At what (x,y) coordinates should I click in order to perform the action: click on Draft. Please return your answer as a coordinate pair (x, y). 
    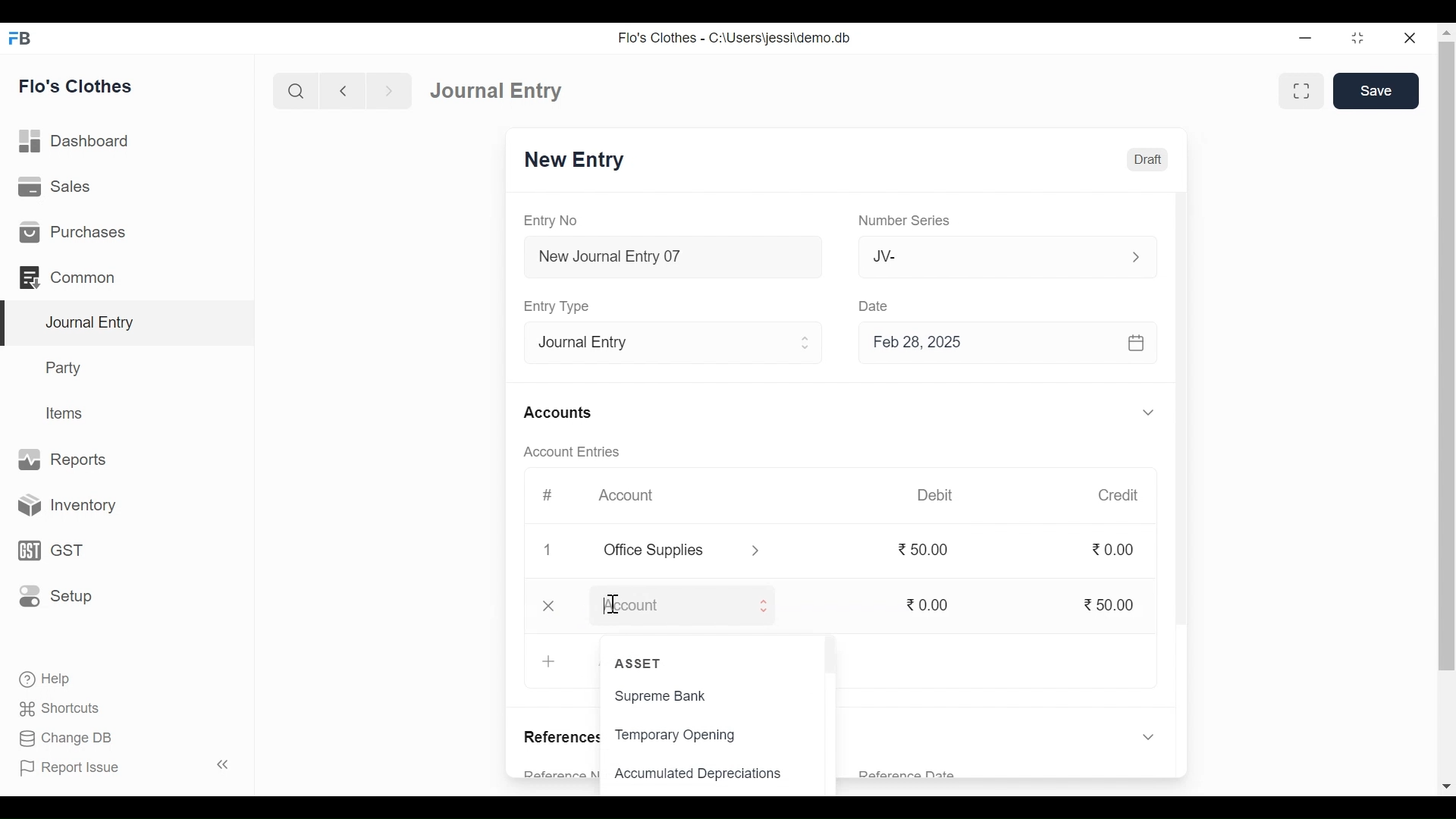
    Looking at the image, I should click on (1150, 160).